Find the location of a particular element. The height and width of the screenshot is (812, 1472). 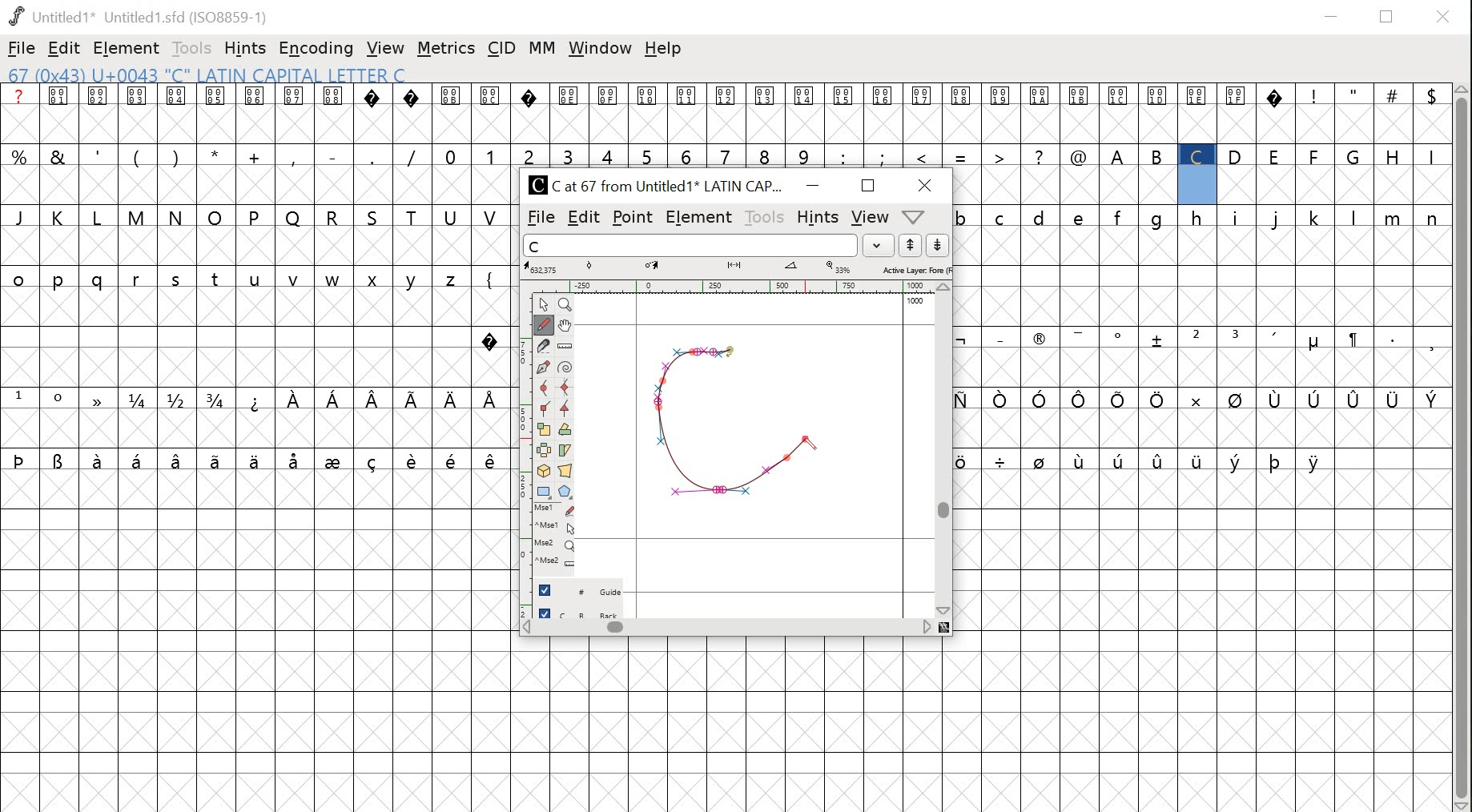

word list input field is located at coordinates (688, 245).